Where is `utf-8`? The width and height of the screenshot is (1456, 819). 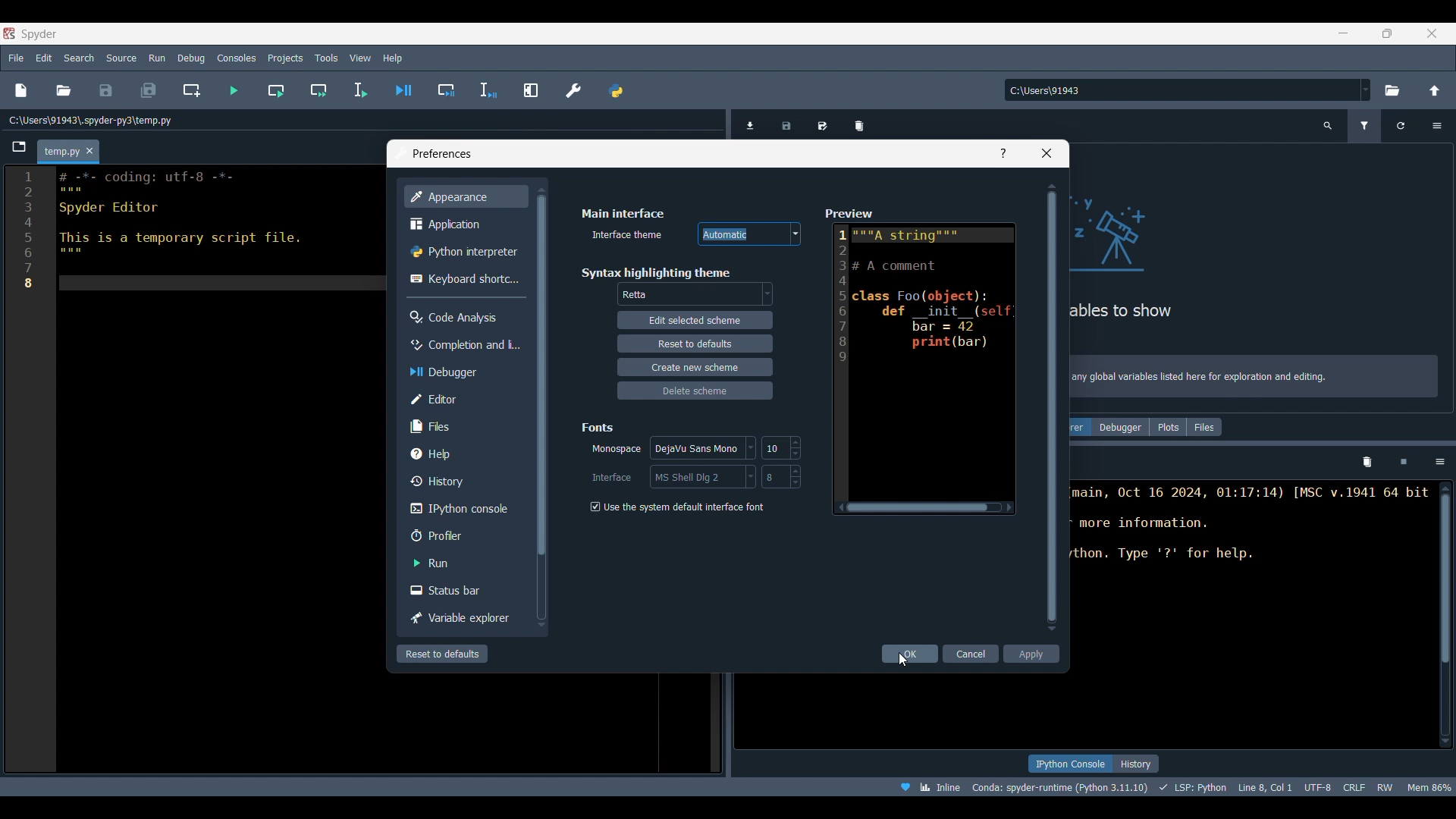
utf-8 is located at coordinates (1319, 785).